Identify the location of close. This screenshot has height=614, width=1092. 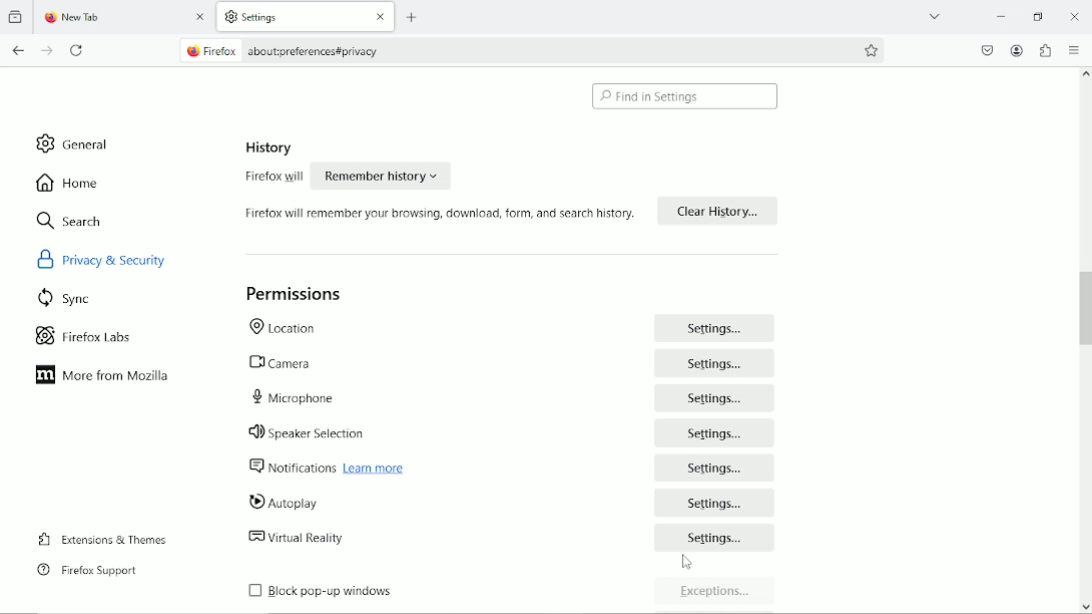
(202, 19).